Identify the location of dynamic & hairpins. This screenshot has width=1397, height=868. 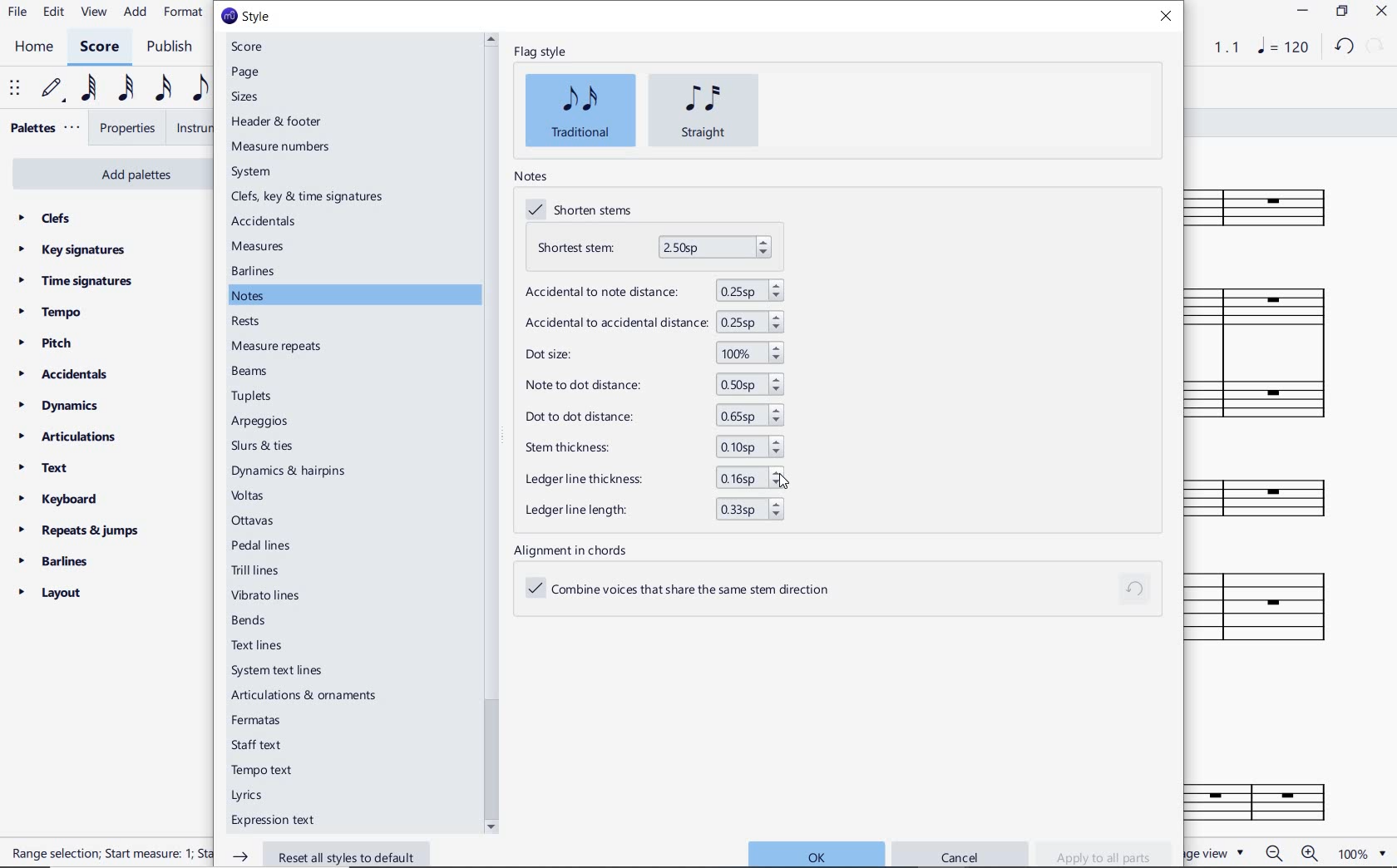
(291, 471).